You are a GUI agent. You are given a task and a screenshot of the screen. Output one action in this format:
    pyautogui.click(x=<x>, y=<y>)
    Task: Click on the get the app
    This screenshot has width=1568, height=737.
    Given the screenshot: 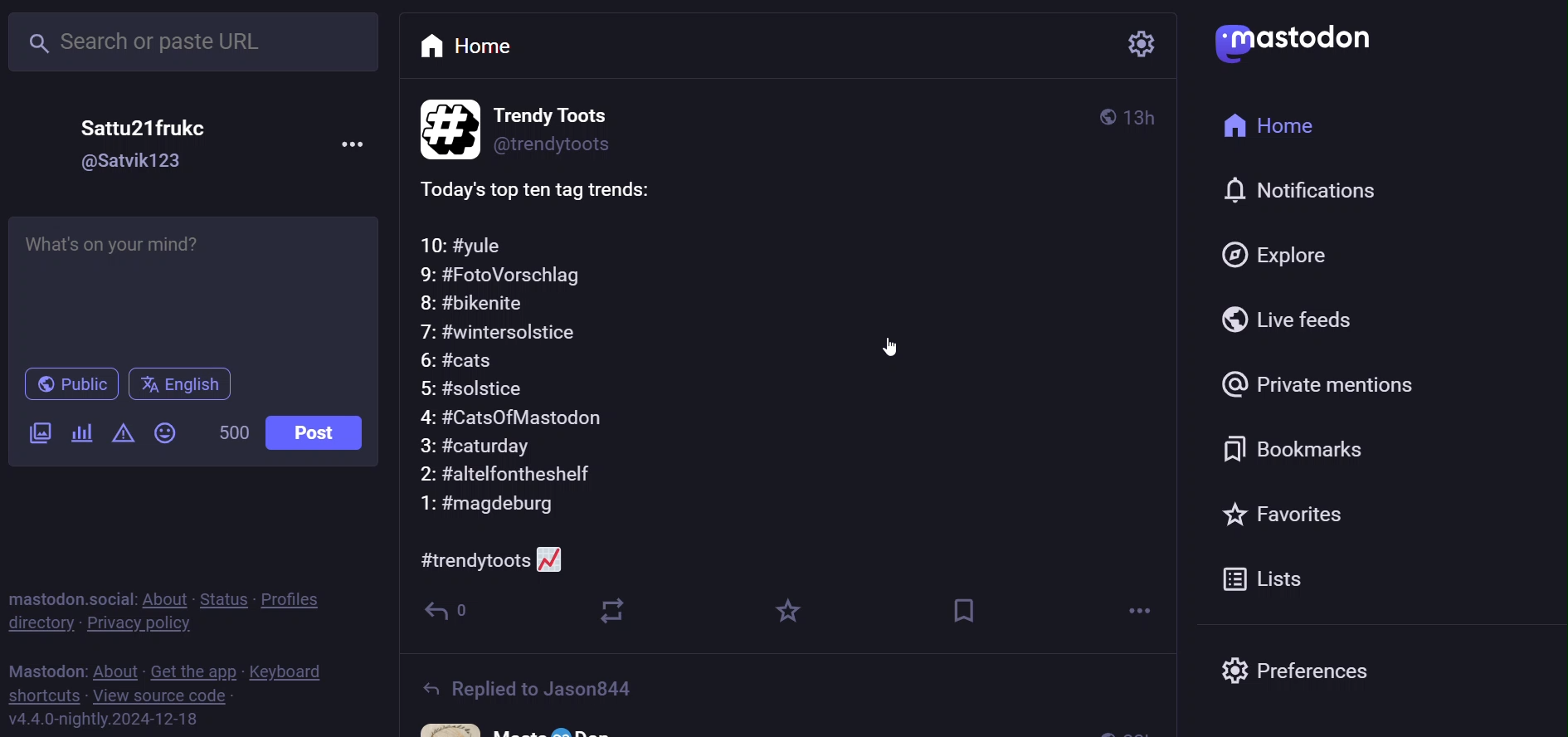 What is the action you would take?
    pyautogui.click(x=193, y=670)
    